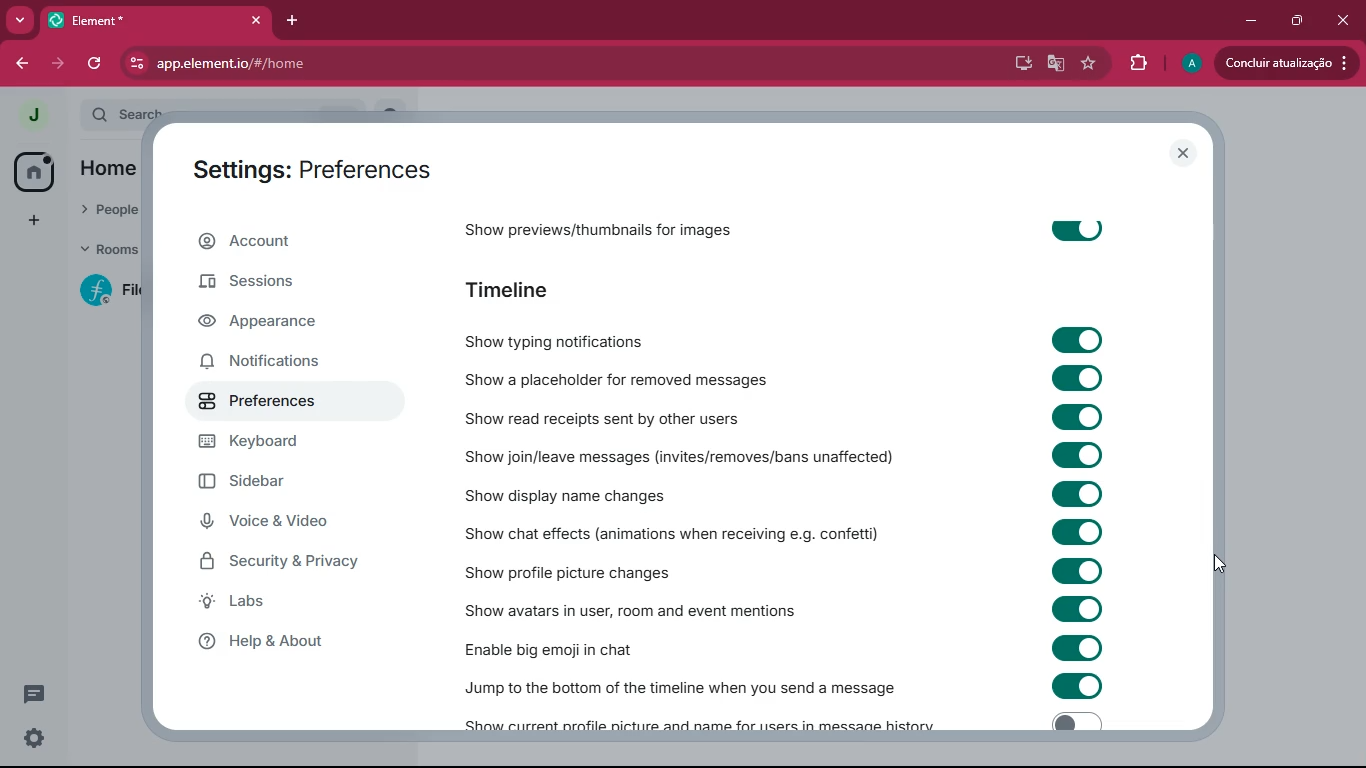 This screenshot has width=1366, height=768. What do you see at coordinates (1072, 722) in the screenshot?
I see `toggle off` at bounding box center [1072, 722].